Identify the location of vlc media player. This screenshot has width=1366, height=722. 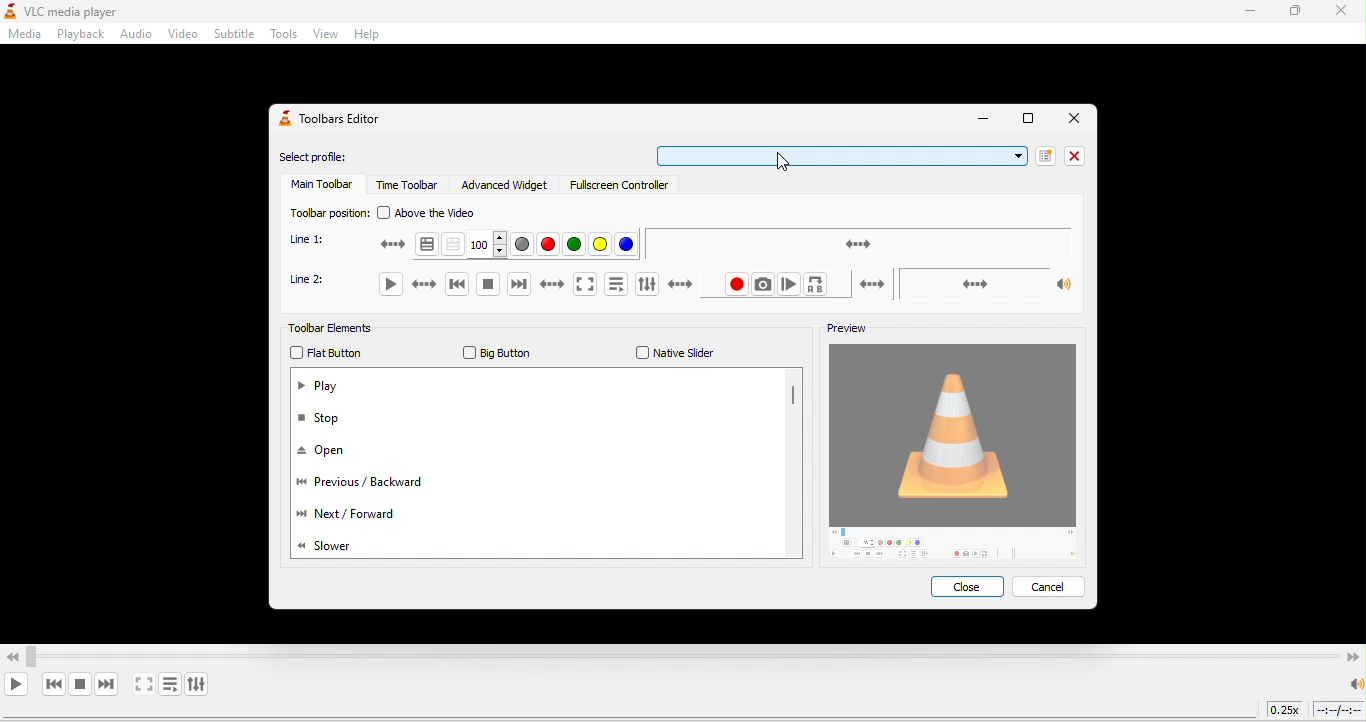
(79, 12).